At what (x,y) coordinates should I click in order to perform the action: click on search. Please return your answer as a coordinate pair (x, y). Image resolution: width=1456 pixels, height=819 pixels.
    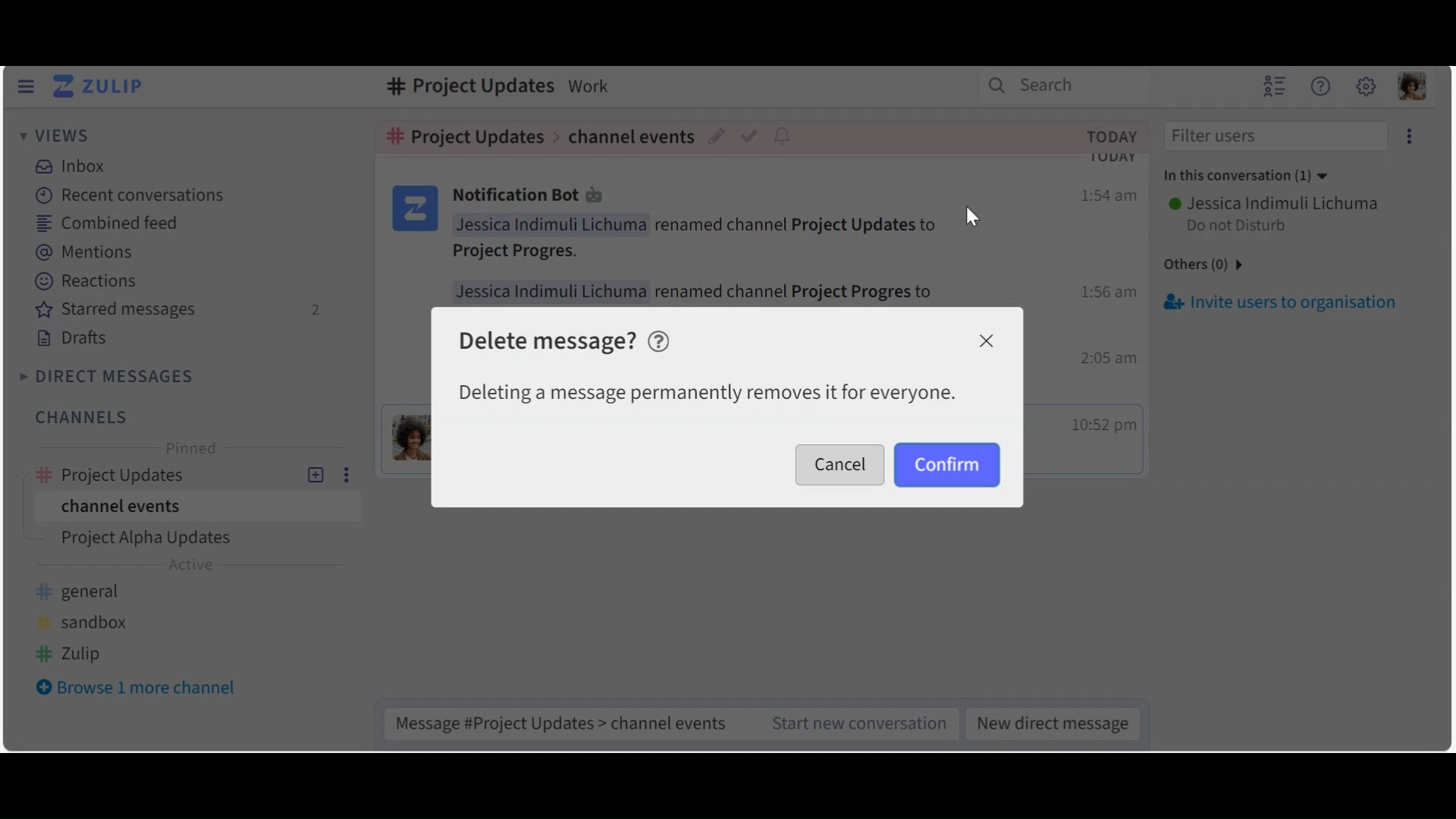
    Looking at the image, I should click on (1049, 89).